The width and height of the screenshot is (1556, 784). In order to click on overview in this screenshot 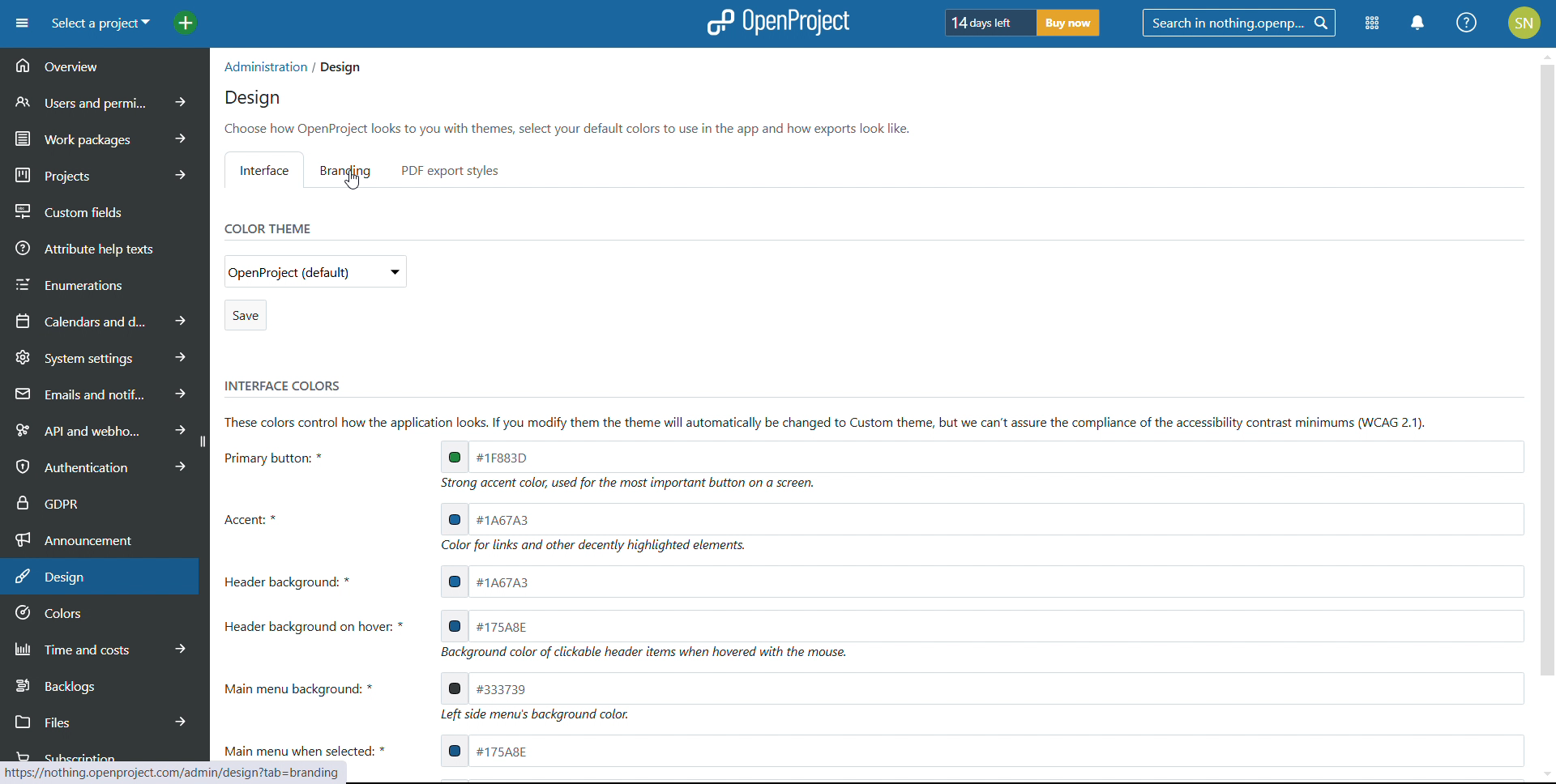, I will do `click(104, 66)`.